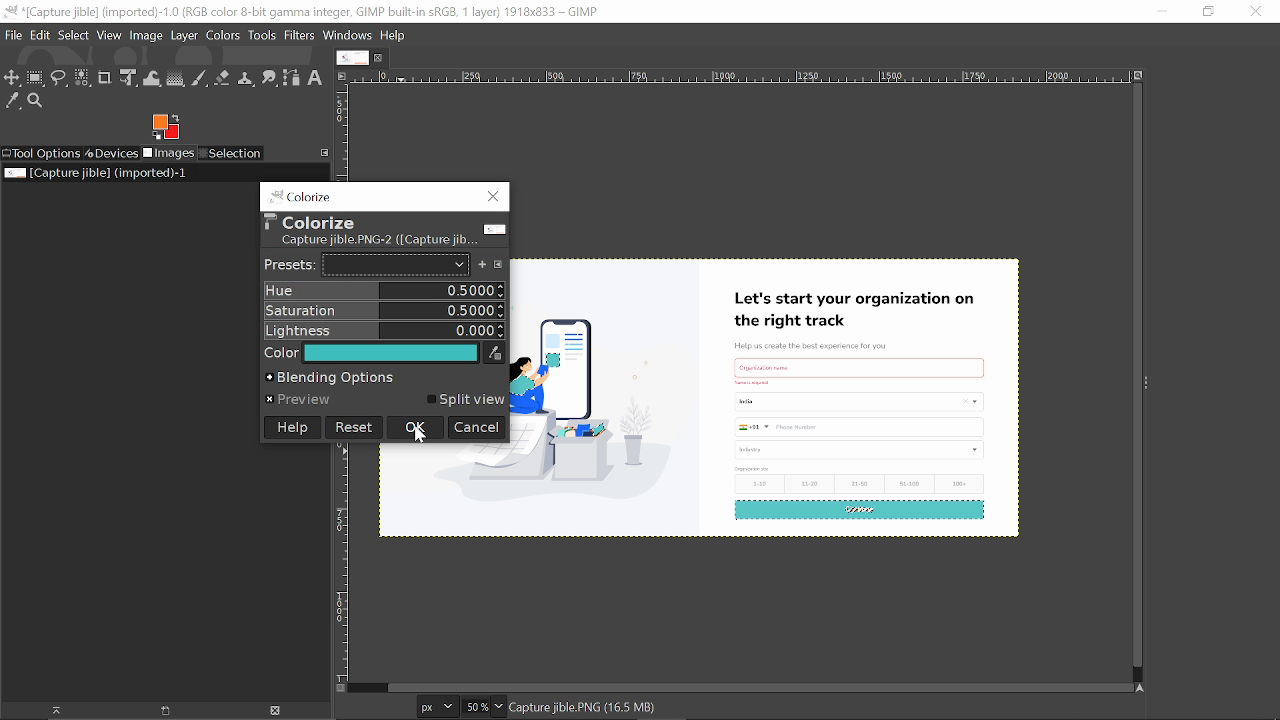 This screenshot has width=1280, height=720. What do you see at coordinates (97, 172) in the screenshot?
I see `Current image file` at bounding box center [97, 172].